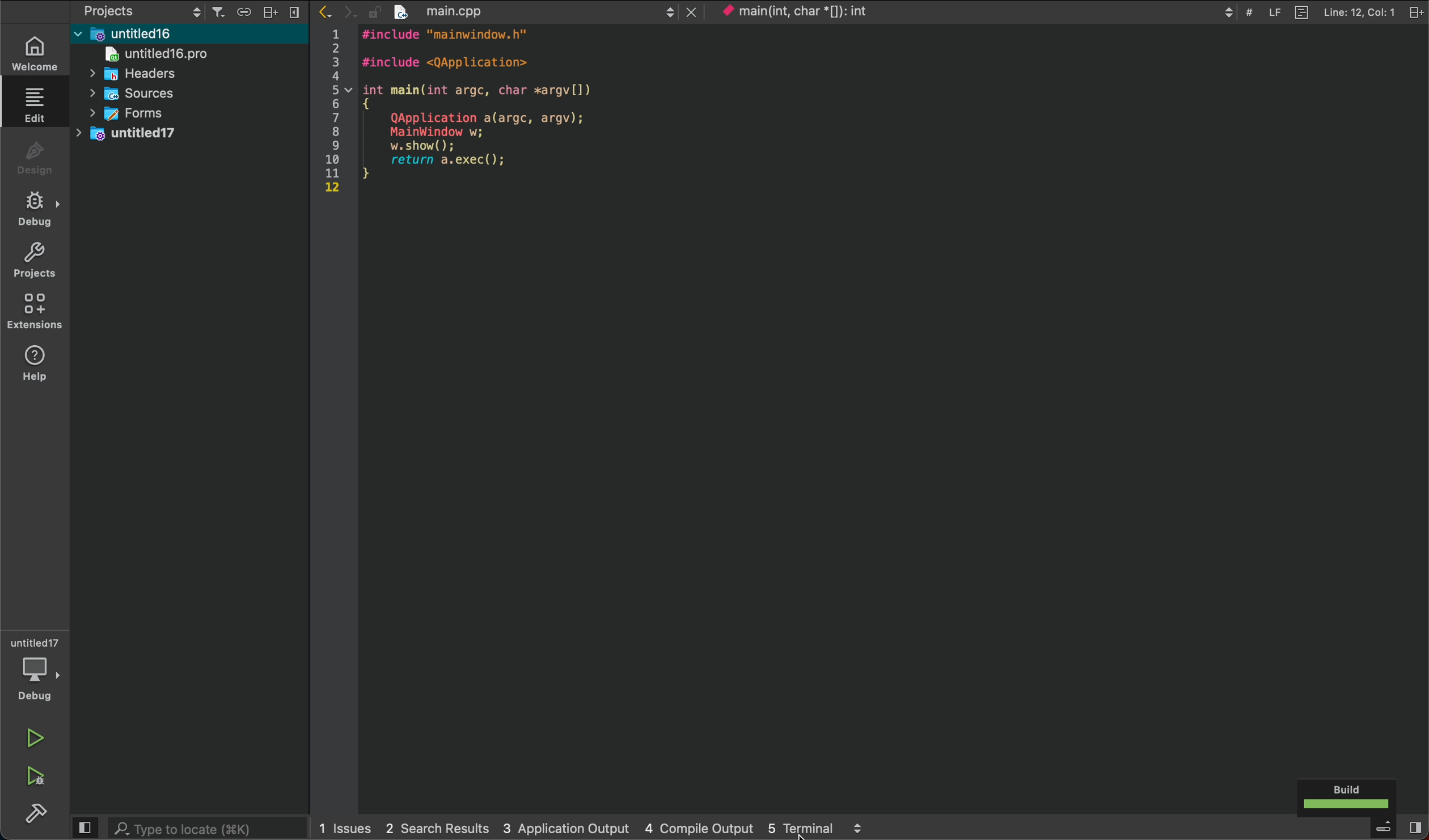 The height and width of the screenshot is (840, 1429). What do you see at coordinates (129, 10) in the screenshot?
I see `projects` at bounding box center [129, 10].